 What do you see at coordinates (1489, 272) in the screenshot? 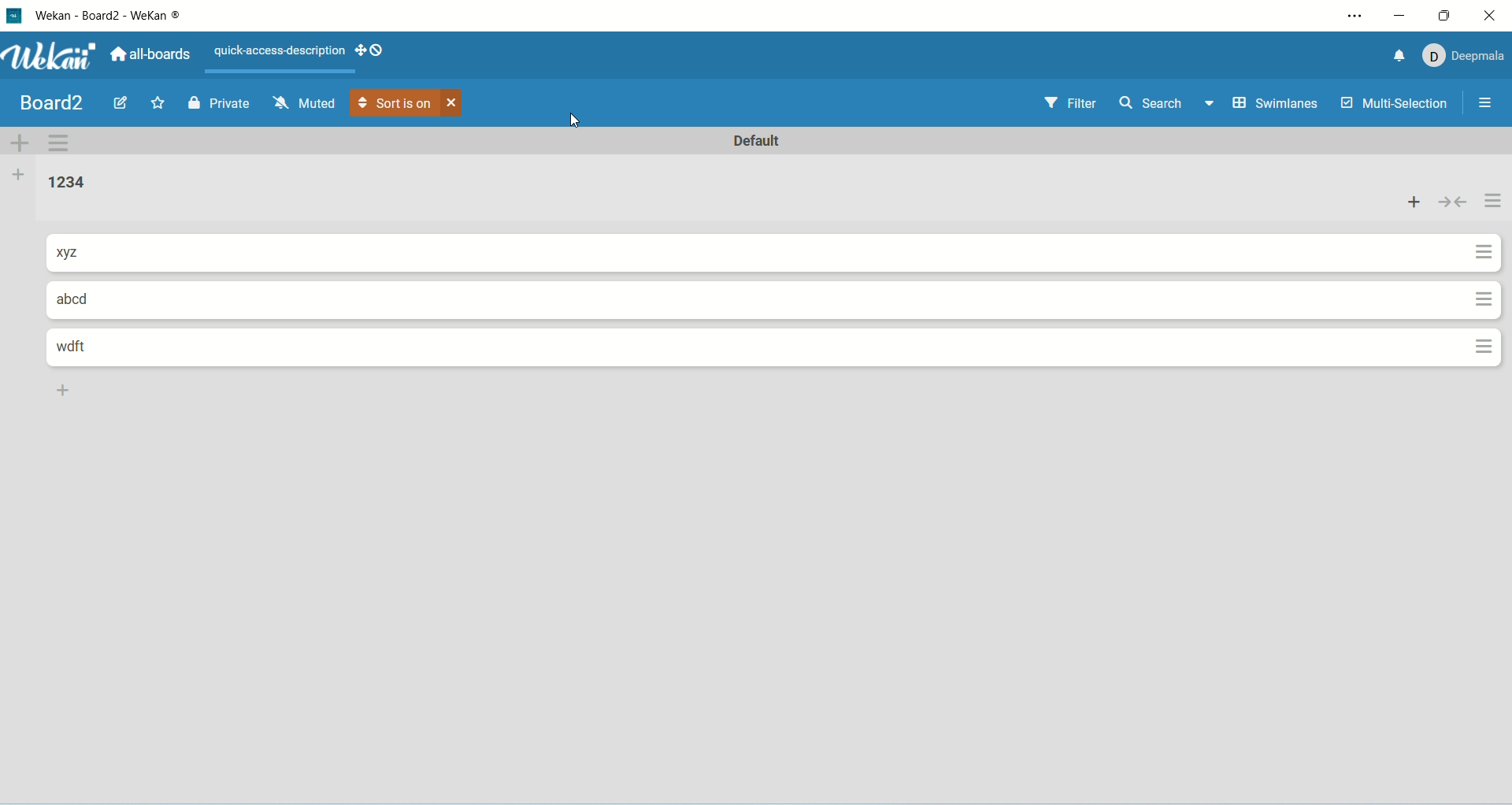
I see `actions` at bounding box center [1489, 272].